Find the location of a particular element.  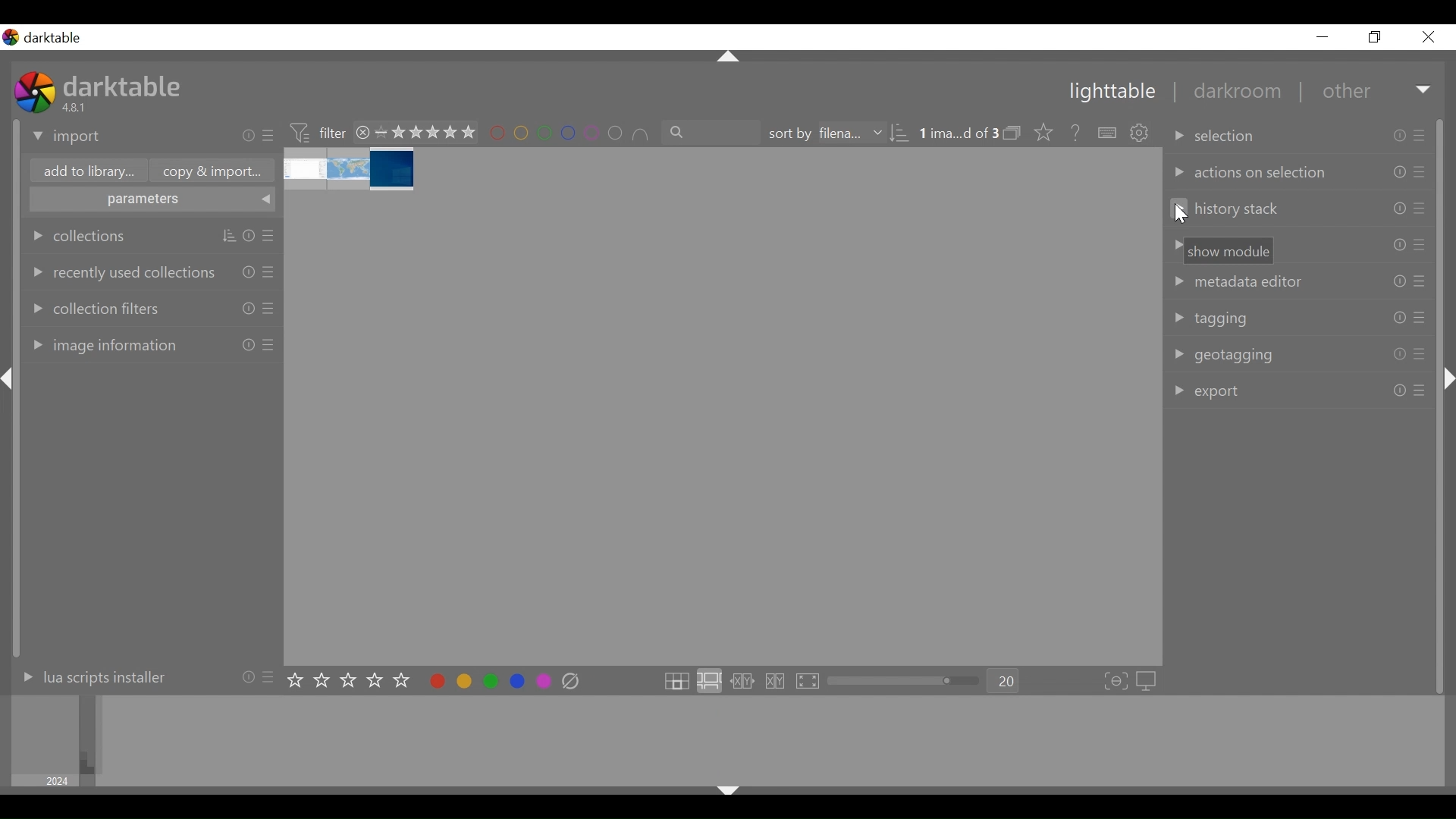

info is located at coordinates (1399, 355).